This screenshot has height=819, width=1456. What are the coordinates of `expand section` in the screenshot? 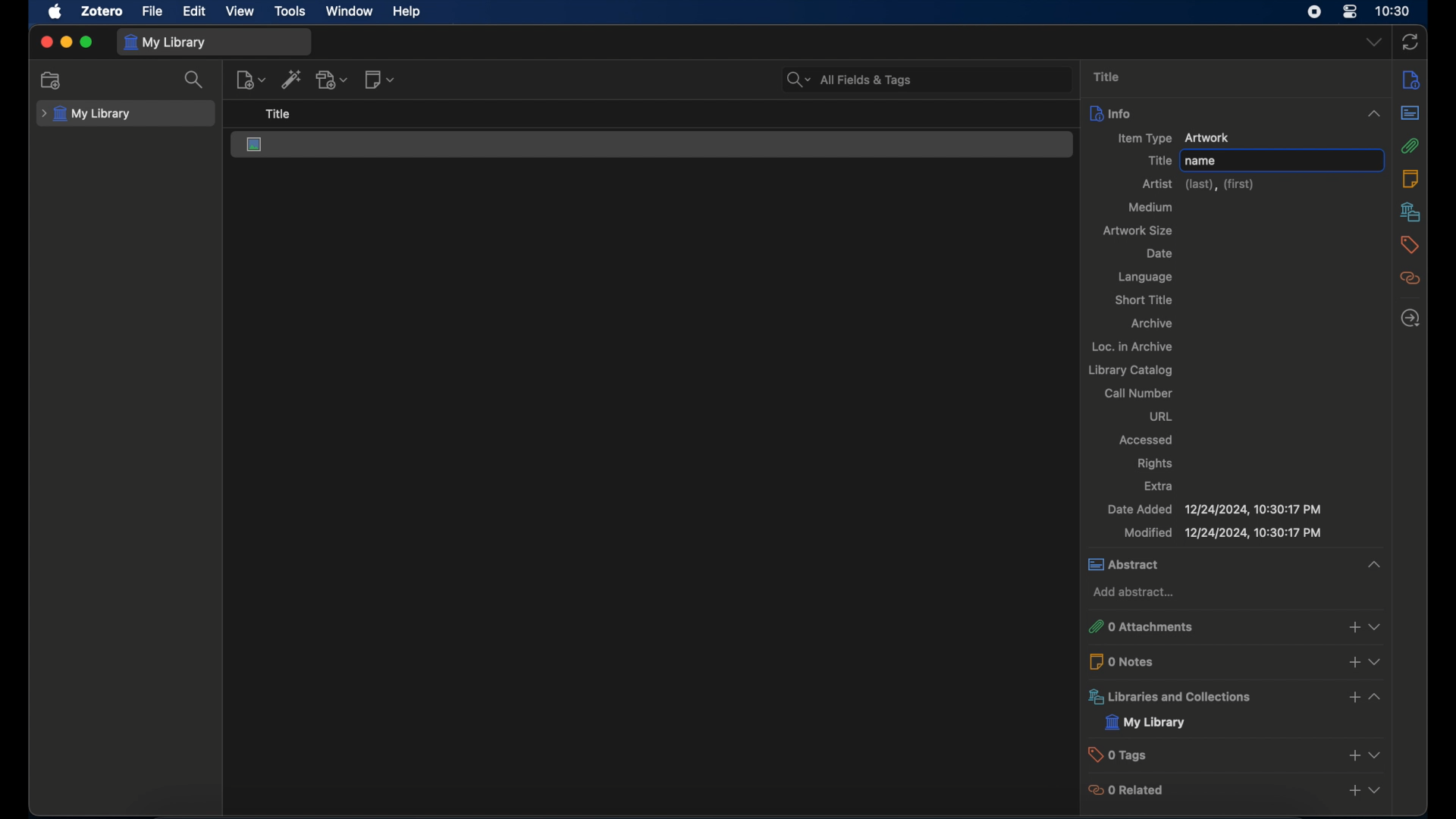 It's located at (1374, 566).